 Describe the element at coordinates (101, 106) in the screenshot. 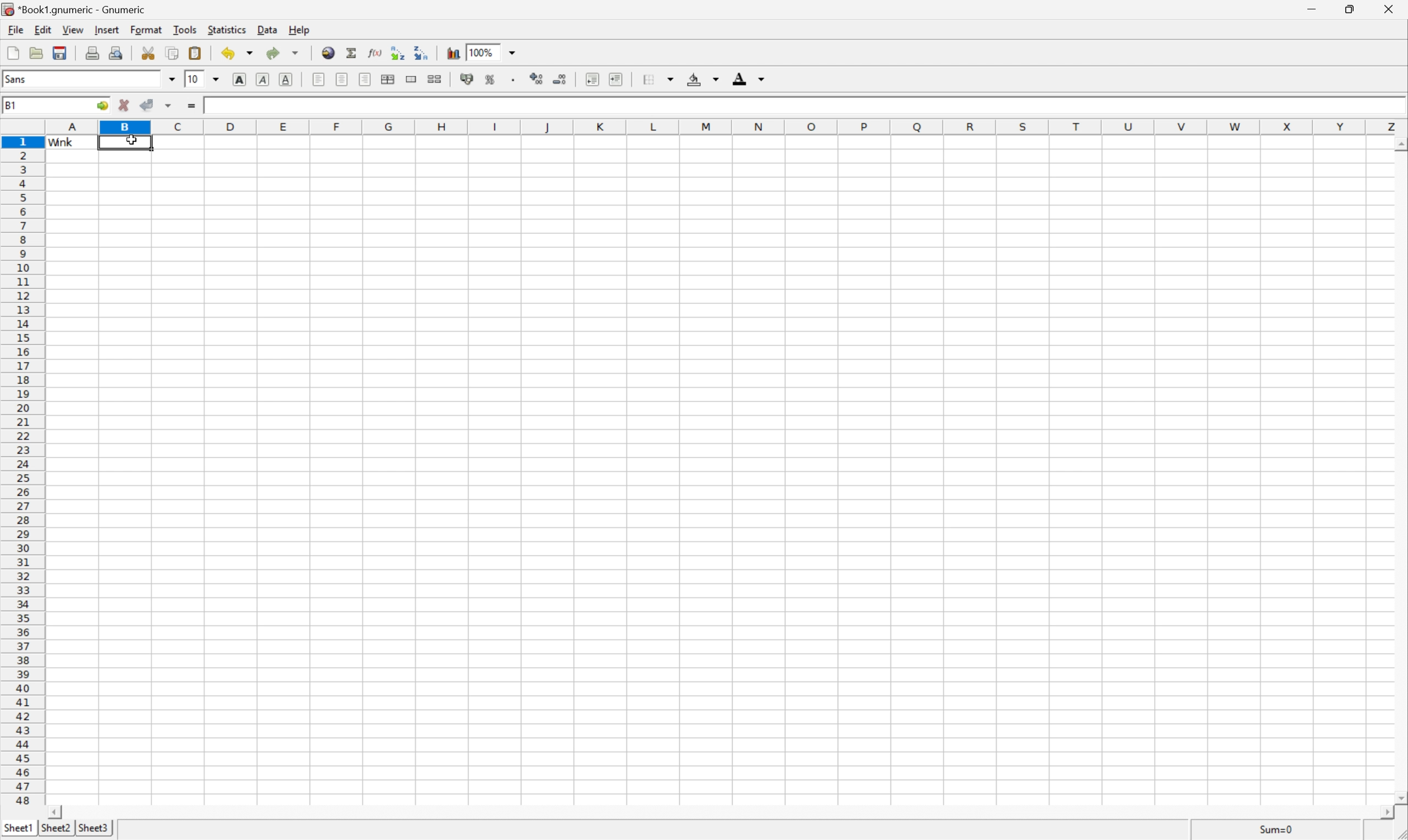

I see `go to` at that location.